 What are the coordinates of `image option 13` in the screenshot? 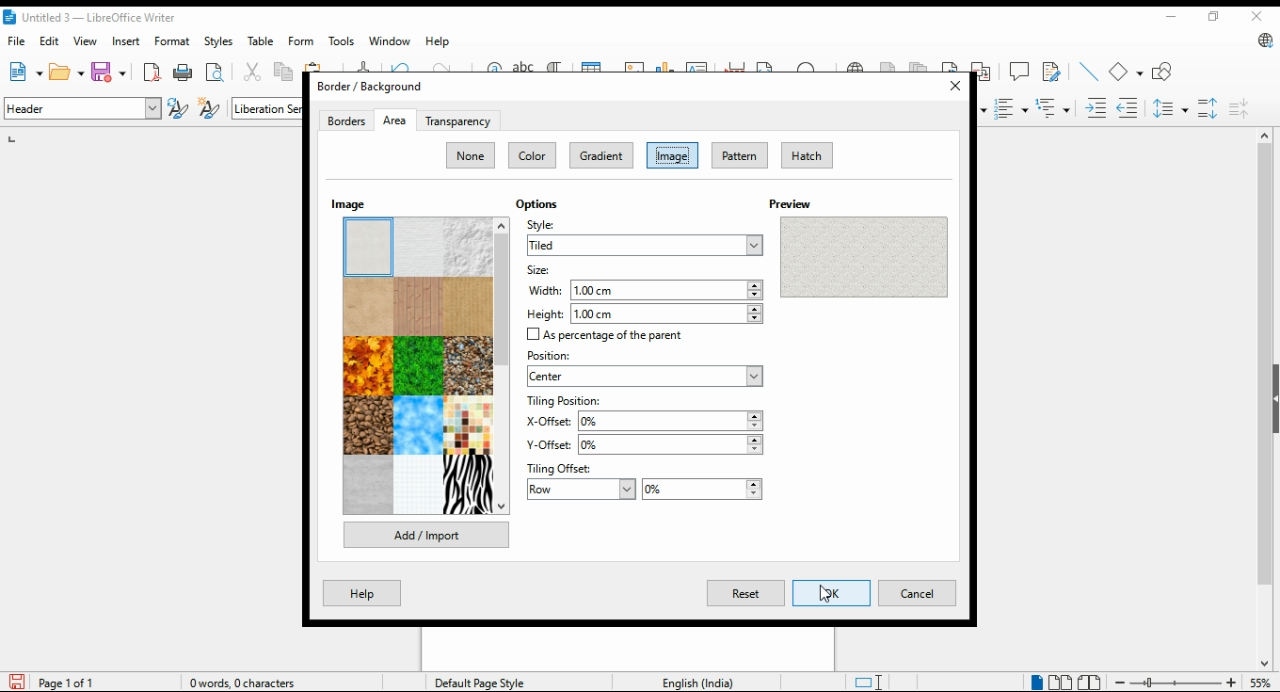 It's located at (367, 485).